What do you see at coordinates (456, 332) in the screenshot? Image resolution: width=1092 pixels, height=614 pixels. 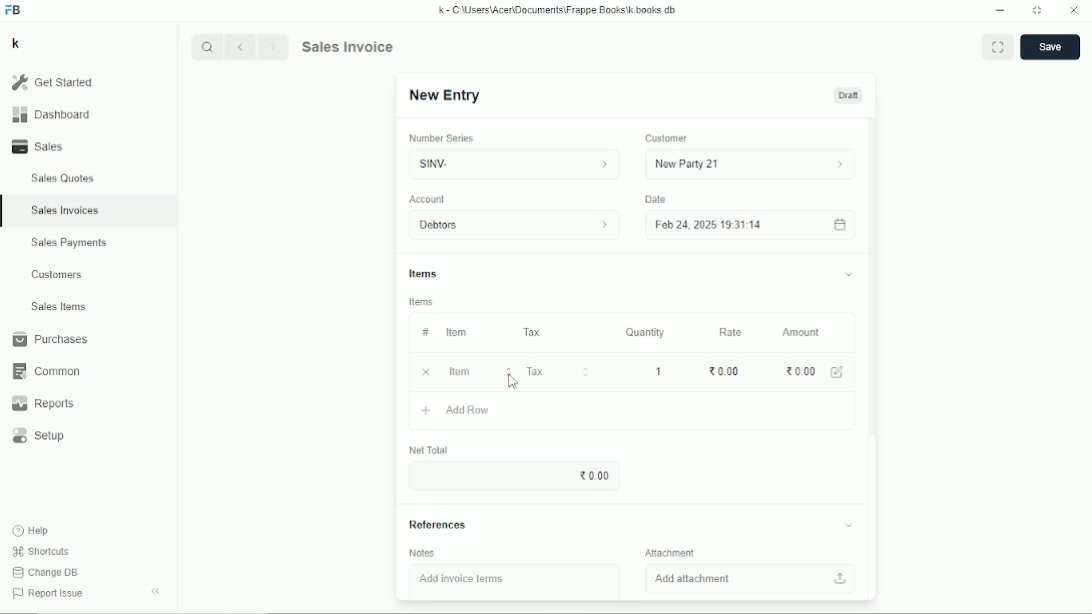 I see `Item` at bounding box center [456, 332].